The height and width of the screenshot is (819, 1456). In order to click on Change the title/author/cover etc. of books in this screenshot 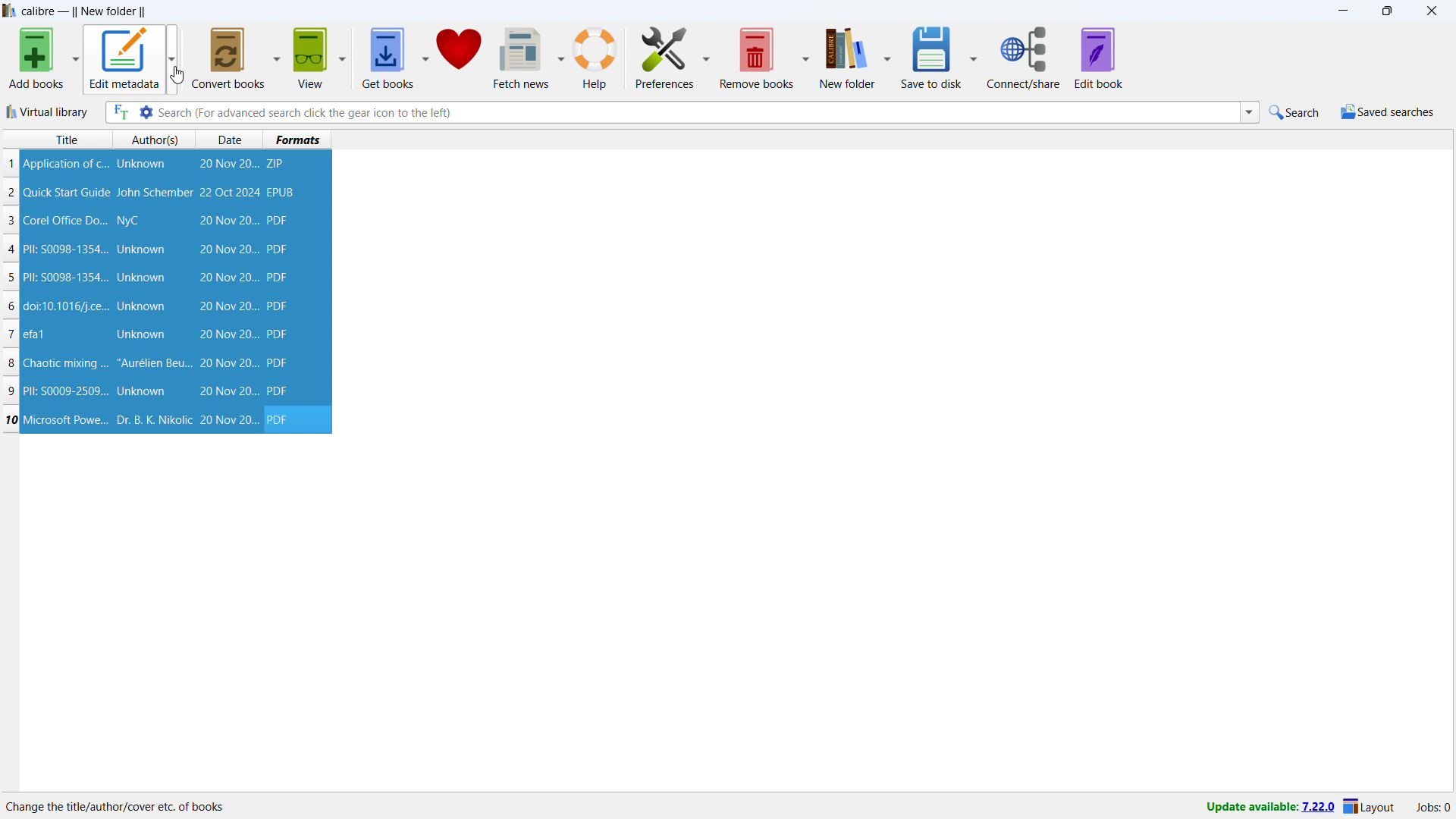, I will do `click(117, 806)`.